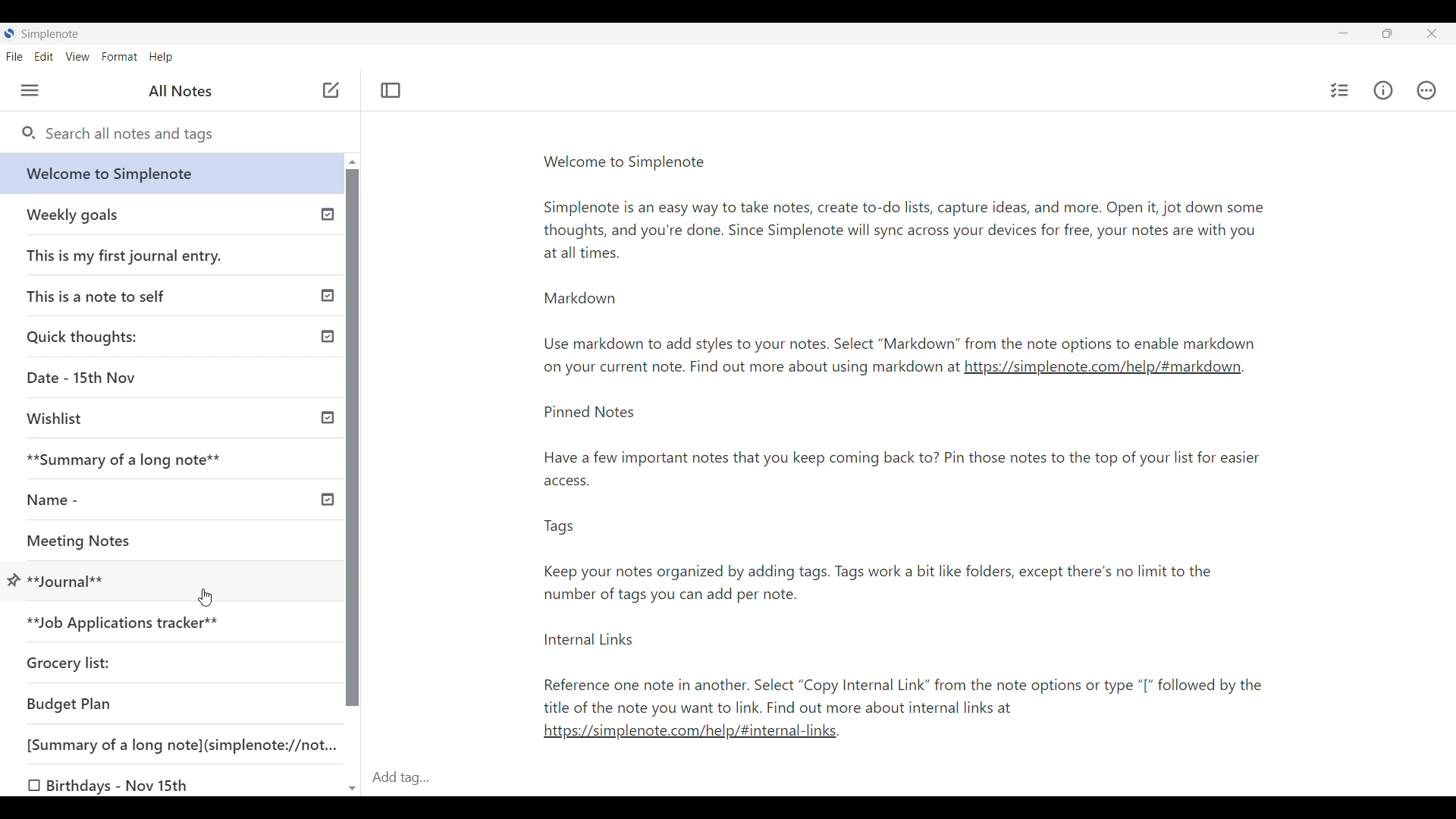  What do you see at coordinates (189, 744) in the screenshot?
I see `[Summary of a long note](simplenote://not...` at bounding box center [189, 744].